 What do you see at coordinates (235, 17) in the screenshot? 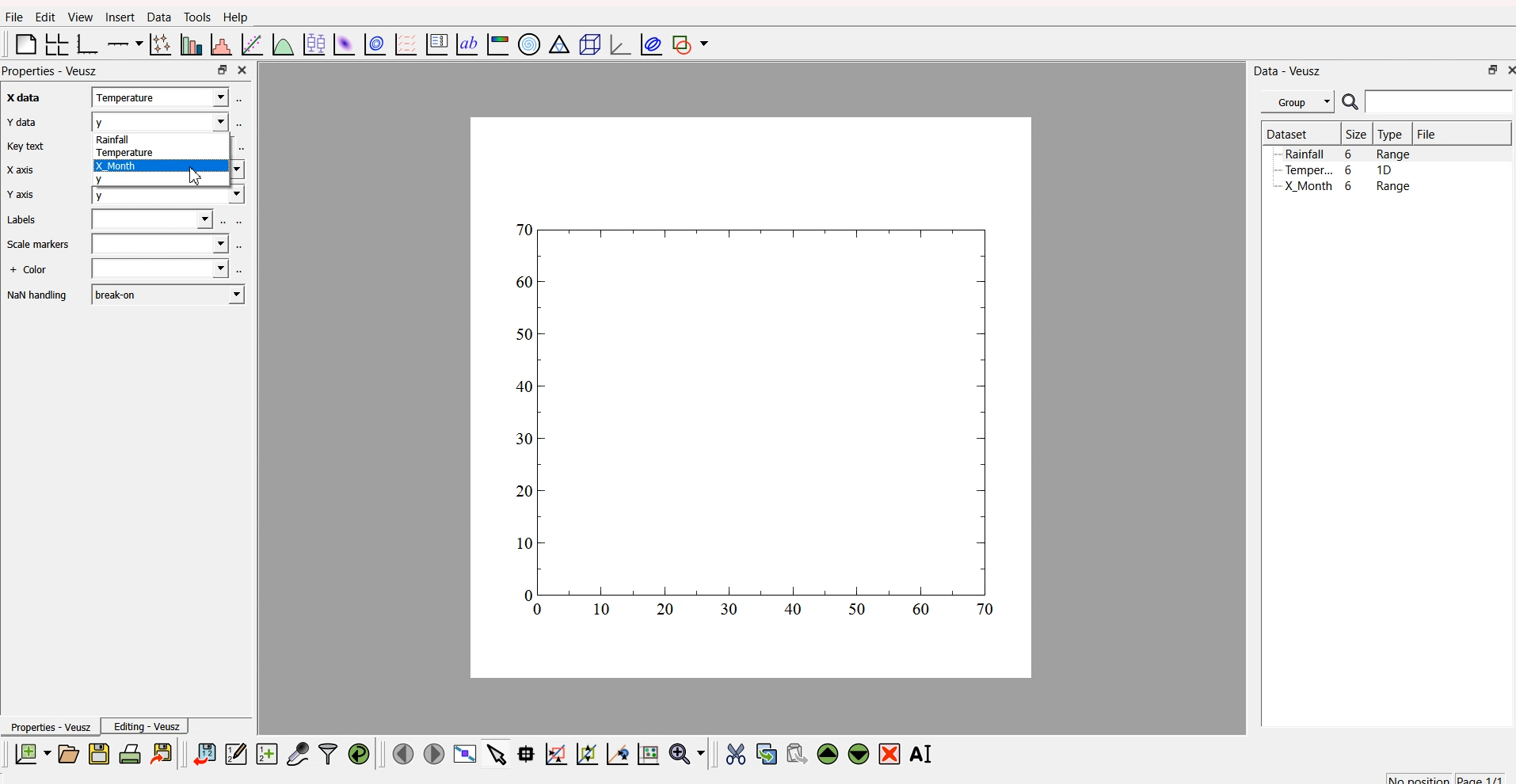
I see `Help` at bounding box center [235, 17].